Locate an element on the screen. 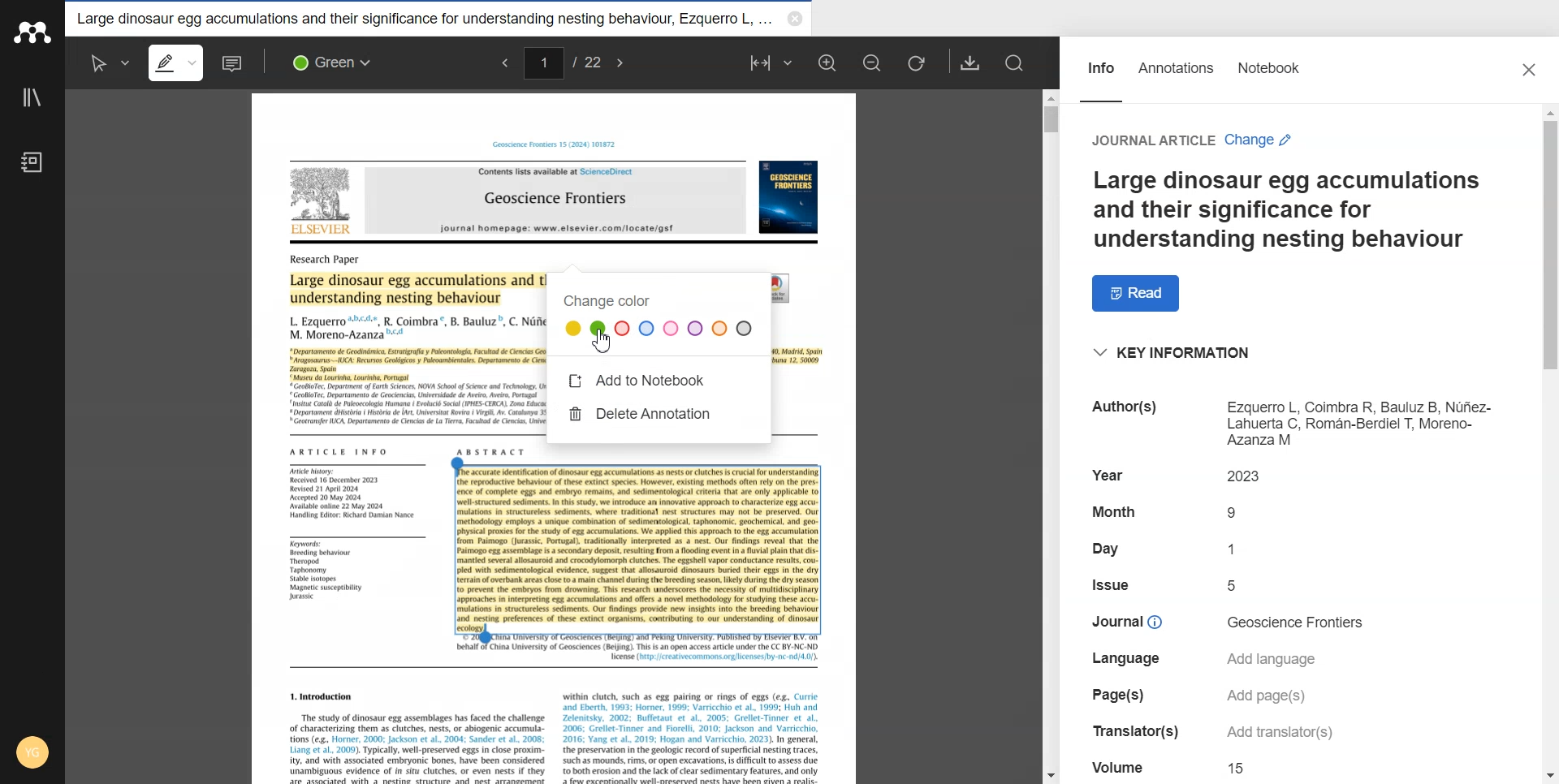  Add to Notebook is located at coordinates (641, 381).